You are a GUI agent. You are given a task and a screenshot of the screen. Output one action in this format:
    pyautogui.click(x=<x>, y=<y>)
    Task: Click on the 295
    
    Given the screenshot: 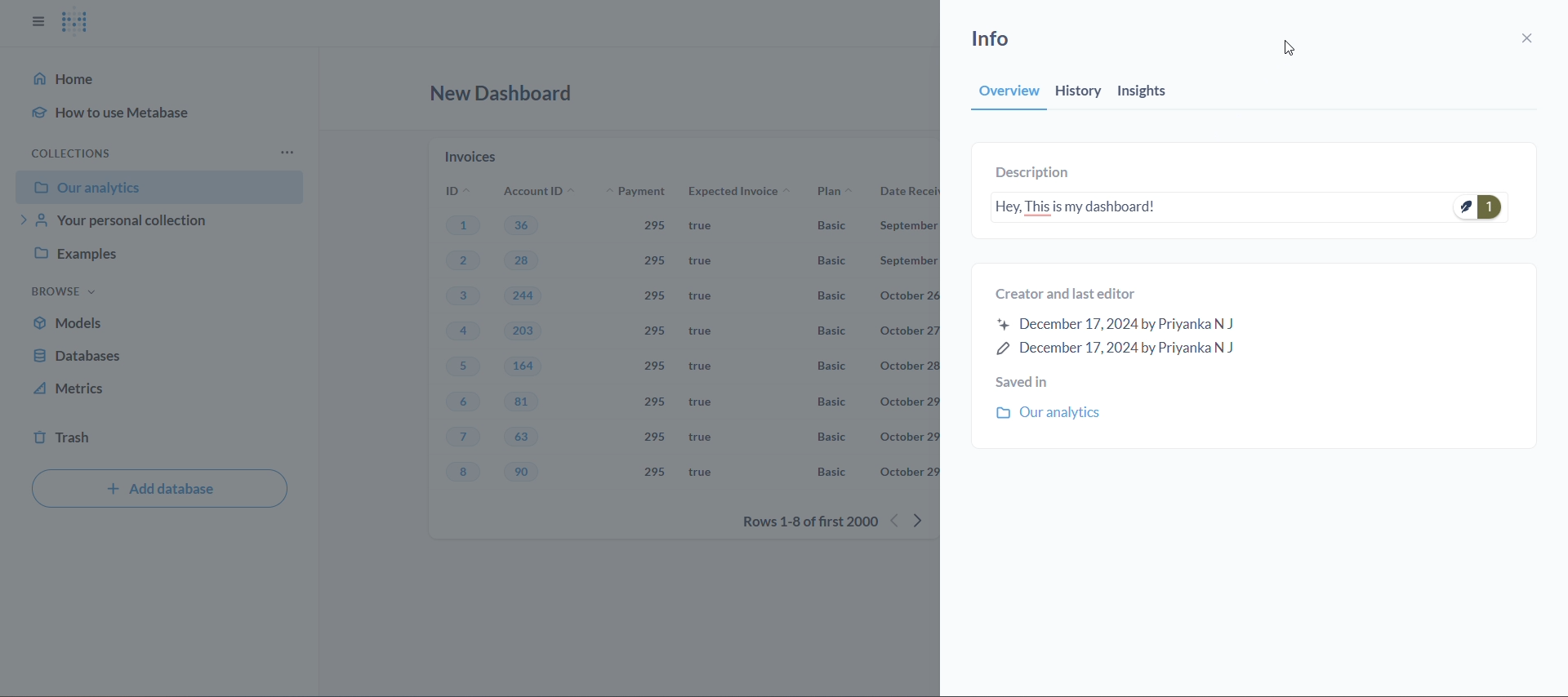 What is the action you would take?
    pyautogui.click(x=657, y=262)
    